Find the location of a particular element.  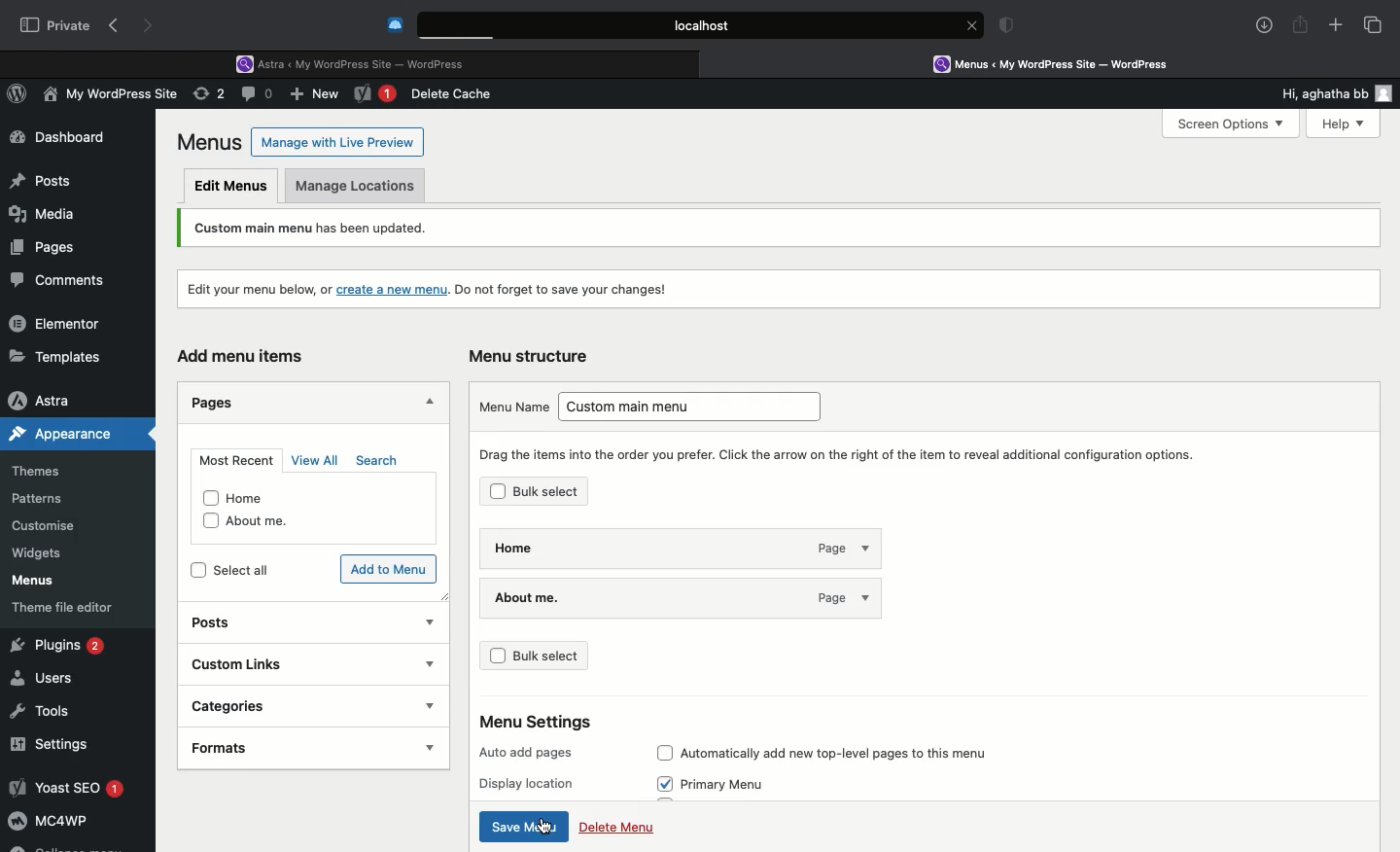

Users is located at coordinates (46, 679).